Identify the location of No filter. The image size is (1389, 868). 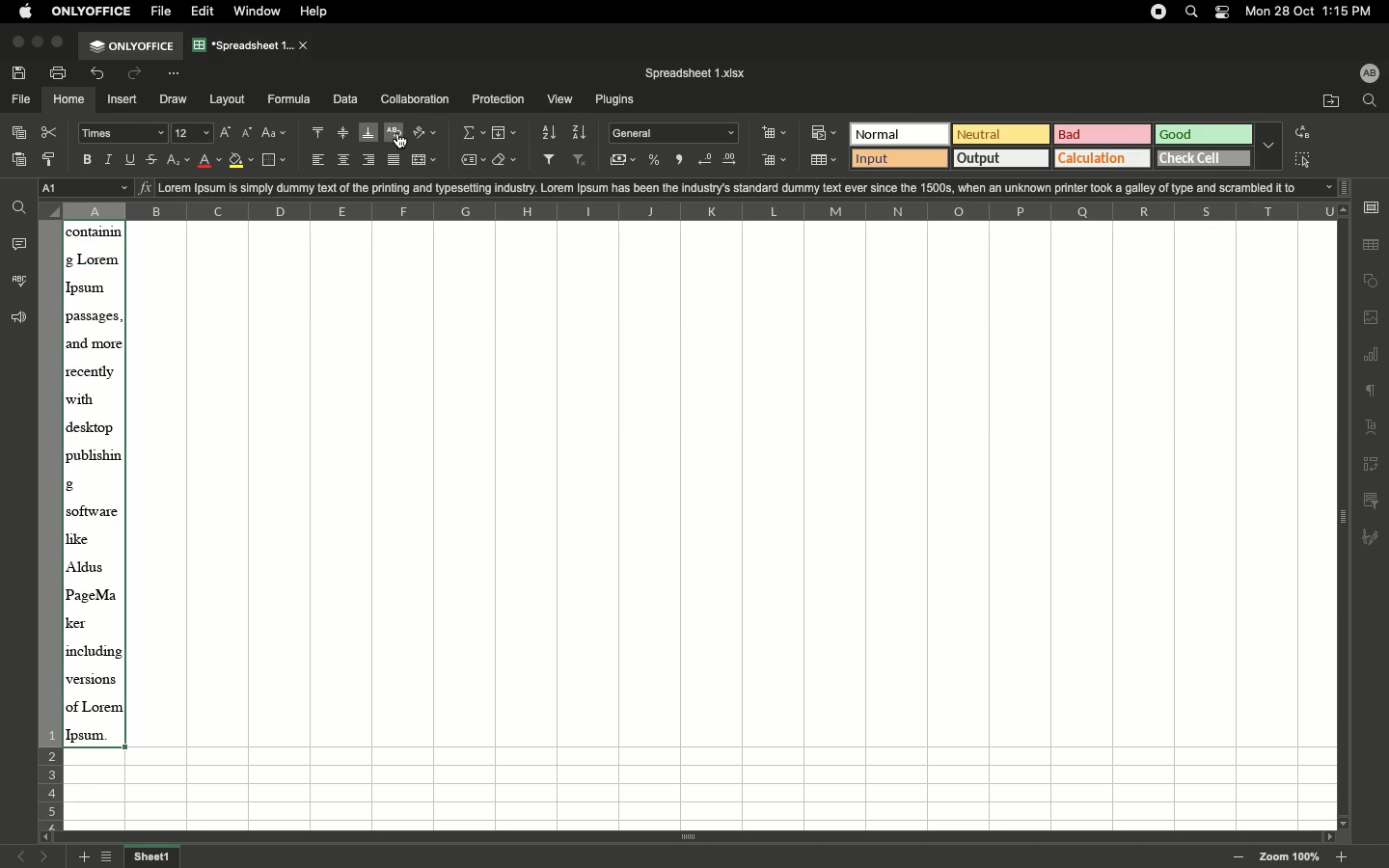
(584, 161).